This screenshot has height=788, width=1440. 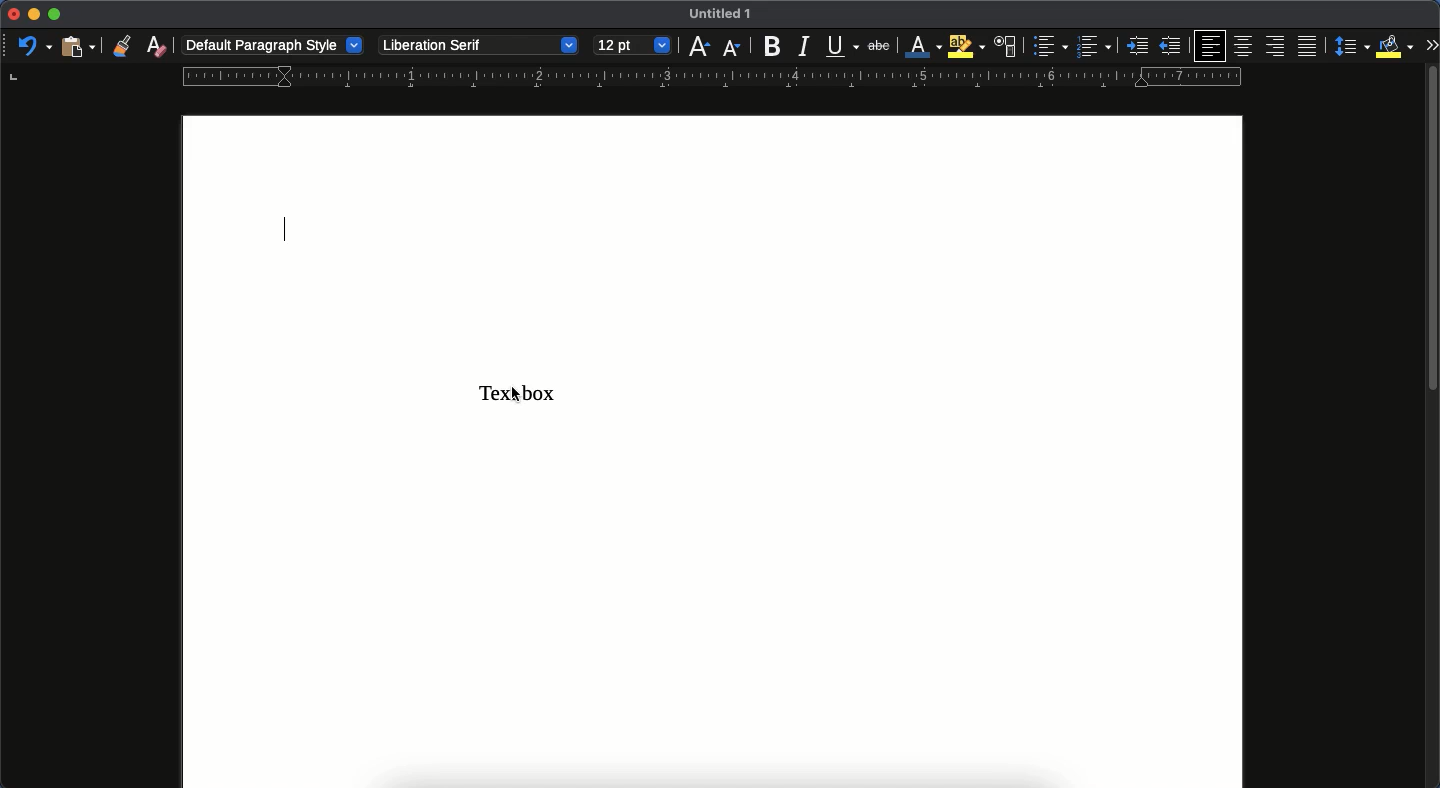 I want to click on font size increase, so click(x=699, y=46).